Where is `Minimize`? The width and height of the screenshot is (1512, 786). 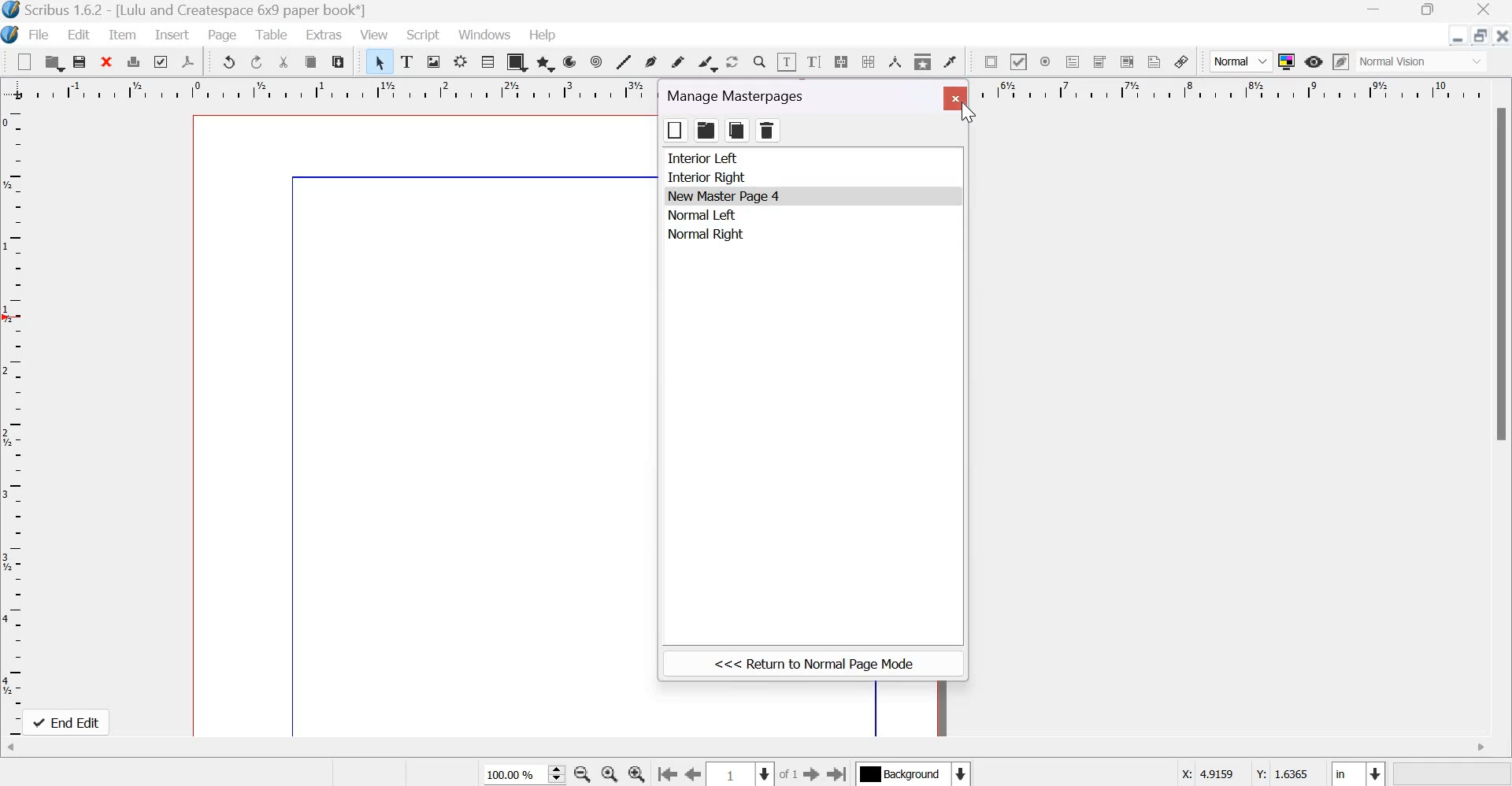 Minimize is located at coordinates (1372, 9).